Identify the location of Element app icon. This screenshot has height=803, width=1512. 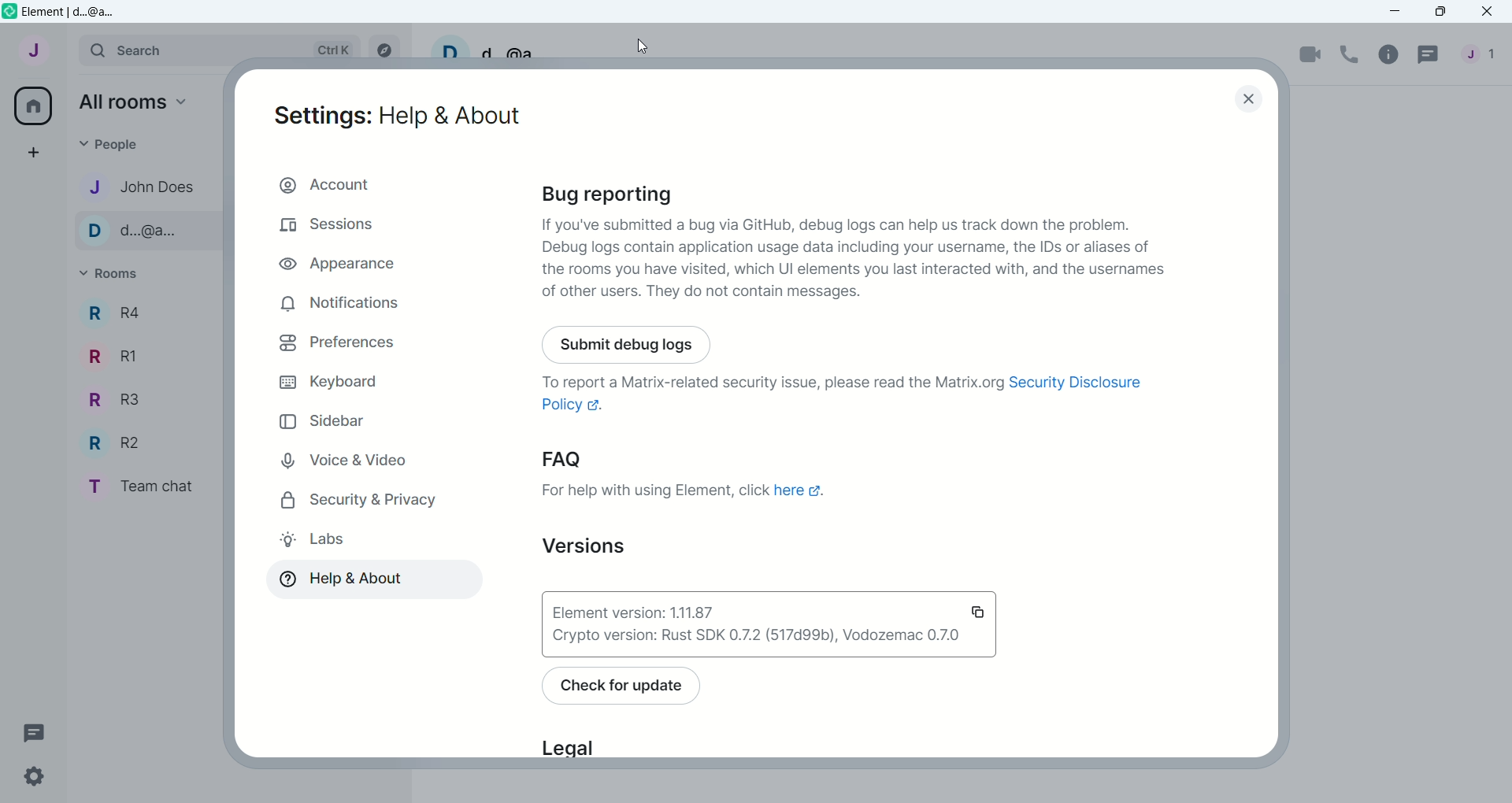
(9, 12).